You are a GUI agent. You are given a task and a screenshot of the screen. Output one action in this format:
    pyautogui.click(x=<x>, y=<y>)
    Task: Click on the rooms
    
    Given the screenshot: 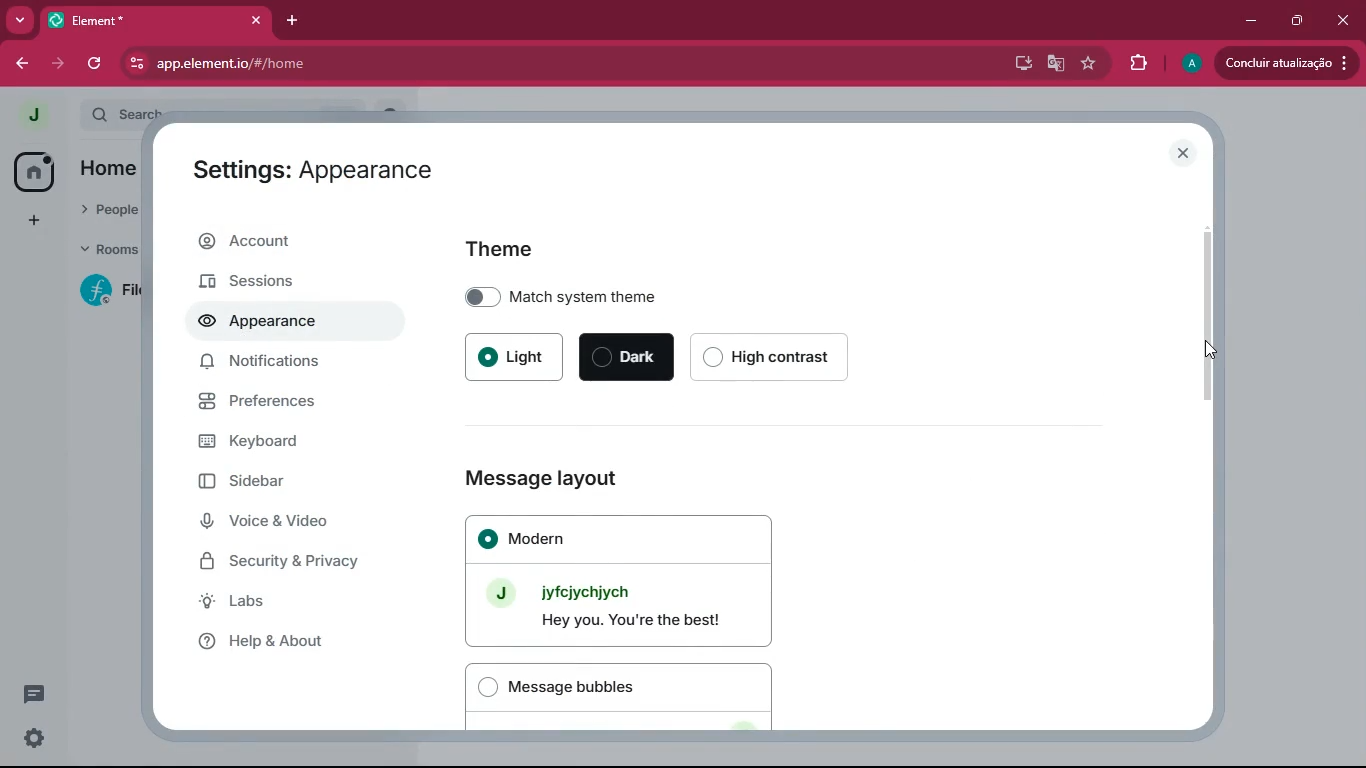 What is the action you would take?
    pyautogui.click(x=106, y=248)
    